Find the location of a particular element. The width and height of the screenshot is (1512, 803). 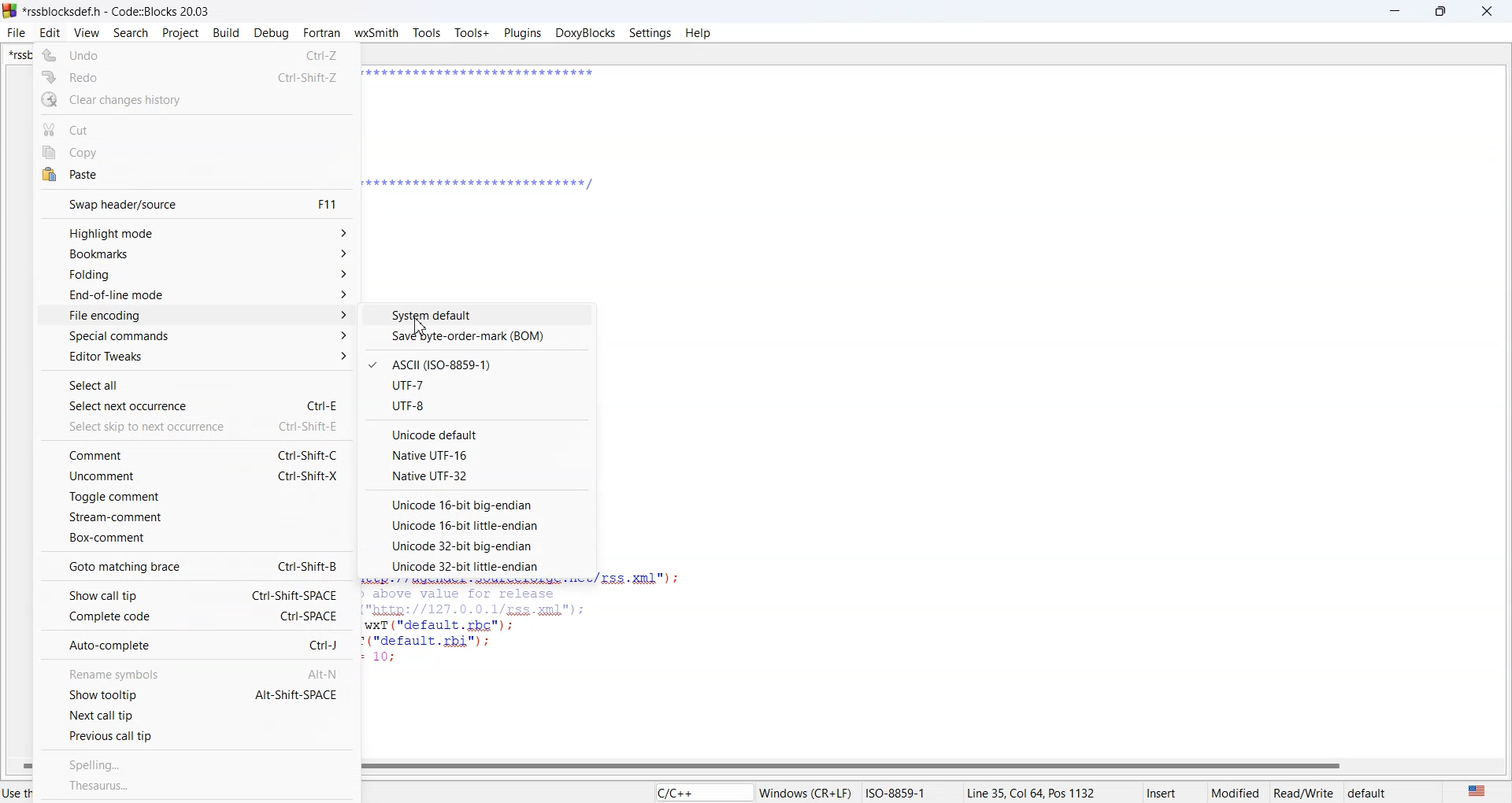

book Marks is located at coordinates (199, 255).